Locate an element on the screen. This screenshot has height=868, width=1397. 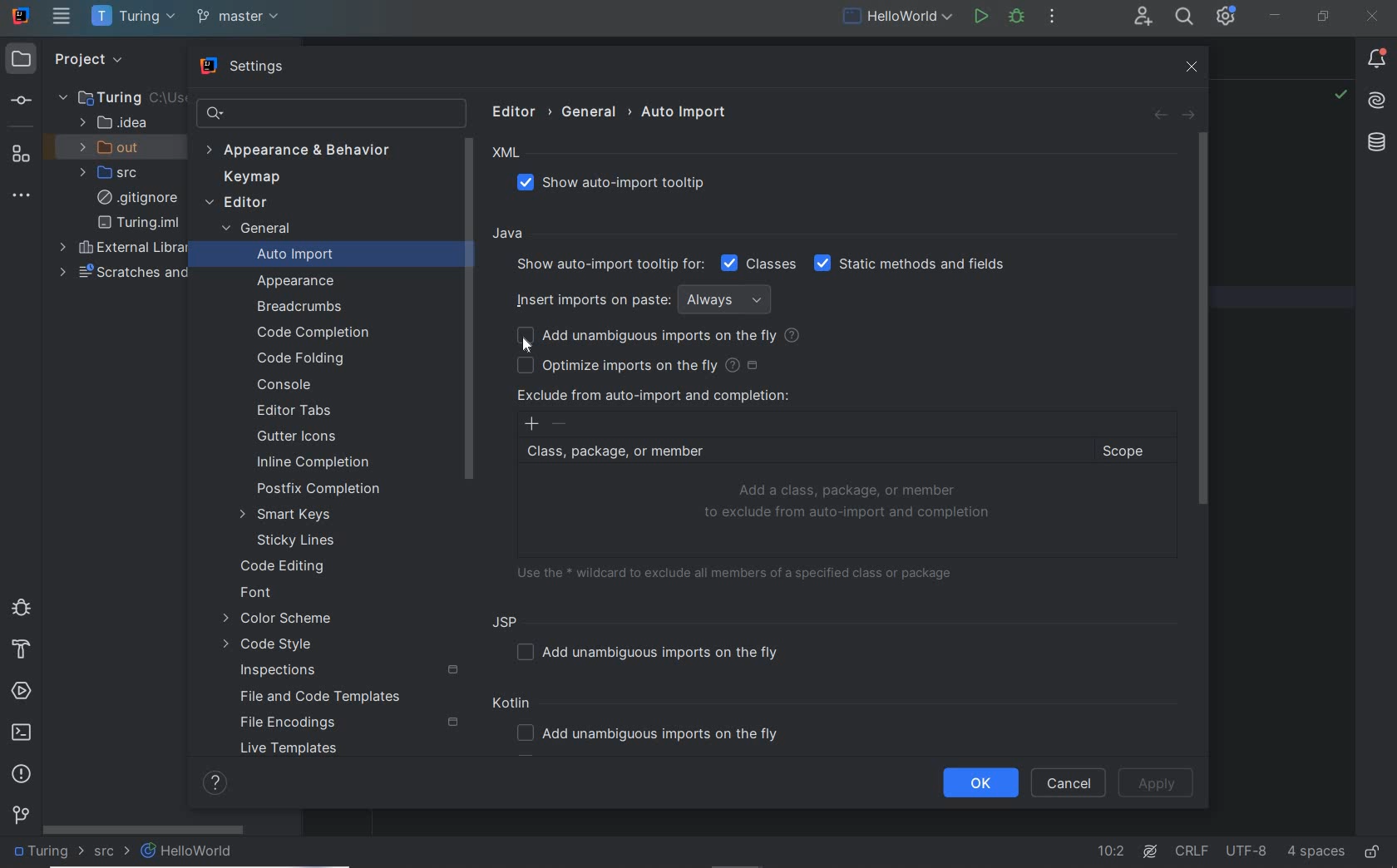
Pointer is located at coordinates (528, 348).